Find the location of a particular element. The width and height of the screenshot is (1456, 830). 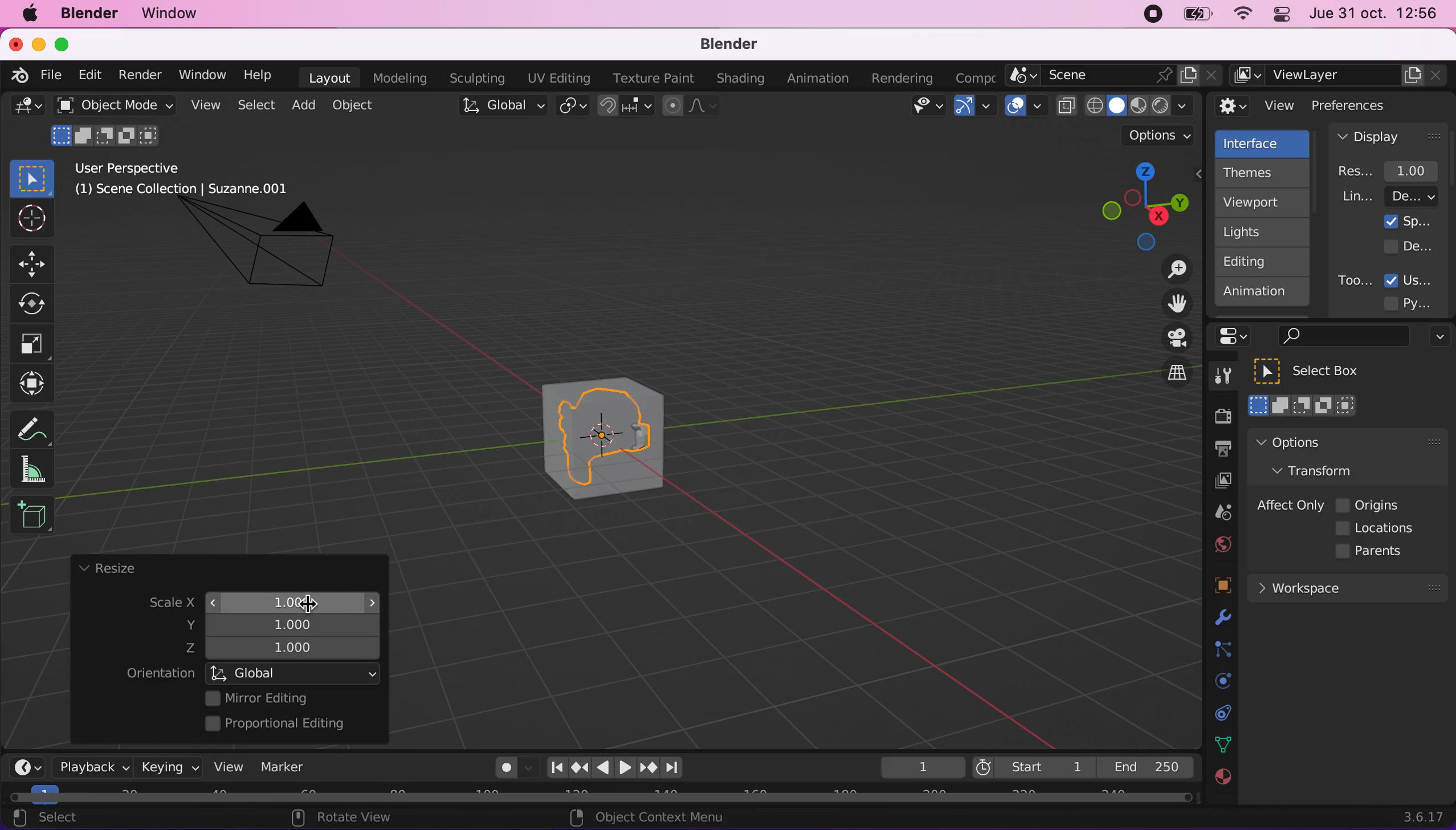

workspace is located at coordinates (1347, 587).